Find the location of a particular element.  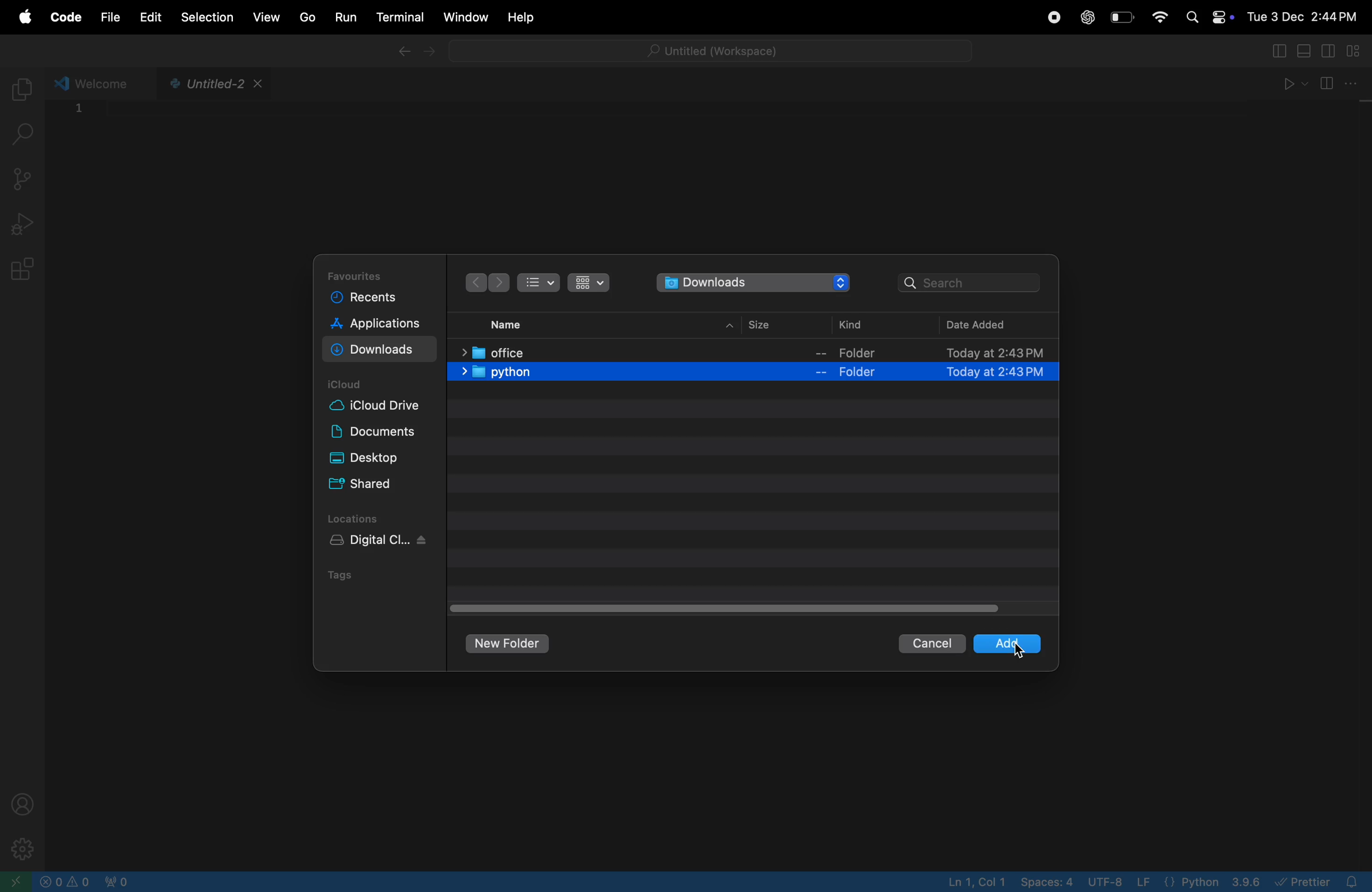

line col 4 is located at coordinates (979, 882).